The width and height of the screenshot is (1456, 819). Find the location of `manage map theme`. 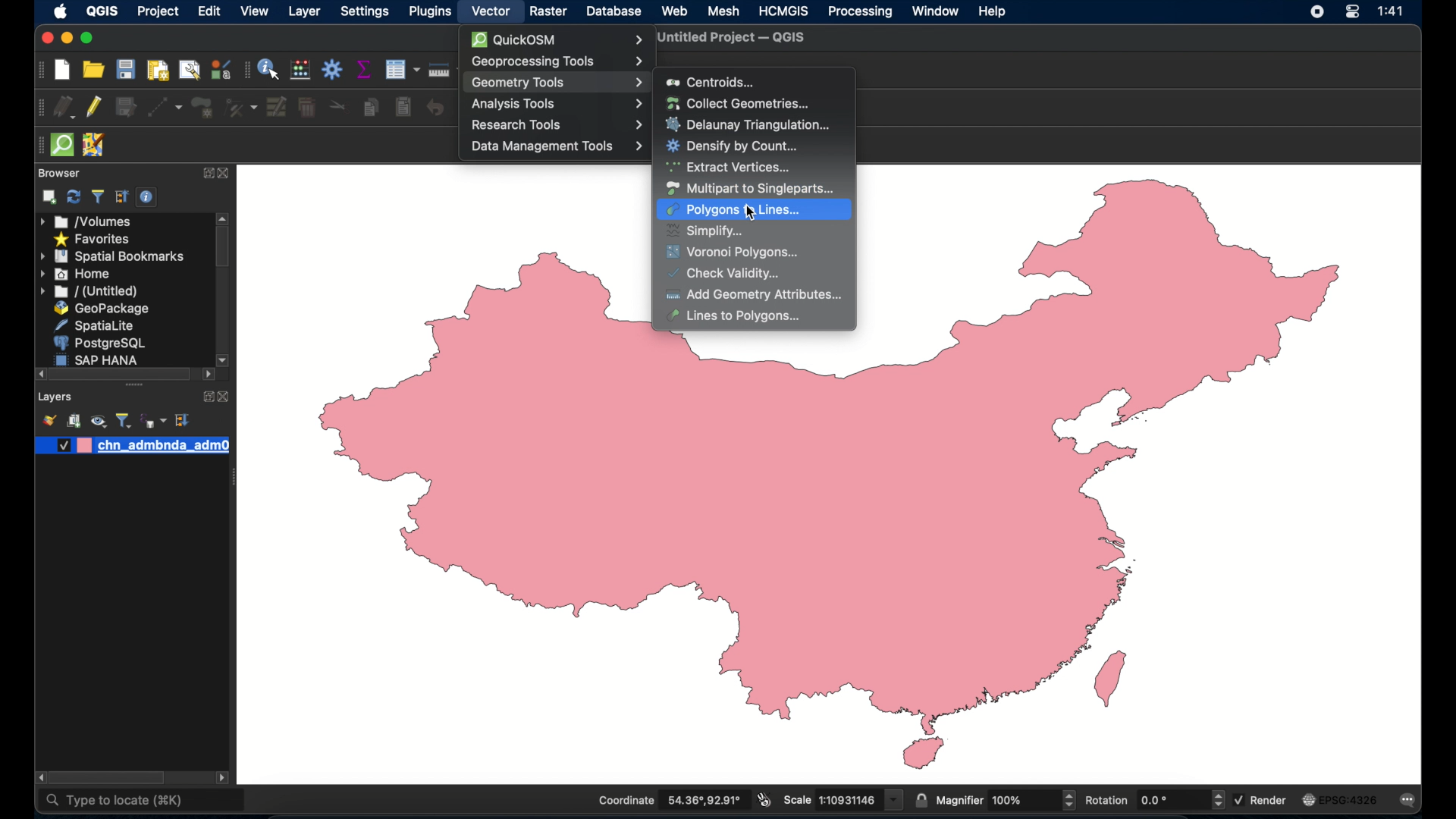

manage map theme is located at coordinates (99, 421).